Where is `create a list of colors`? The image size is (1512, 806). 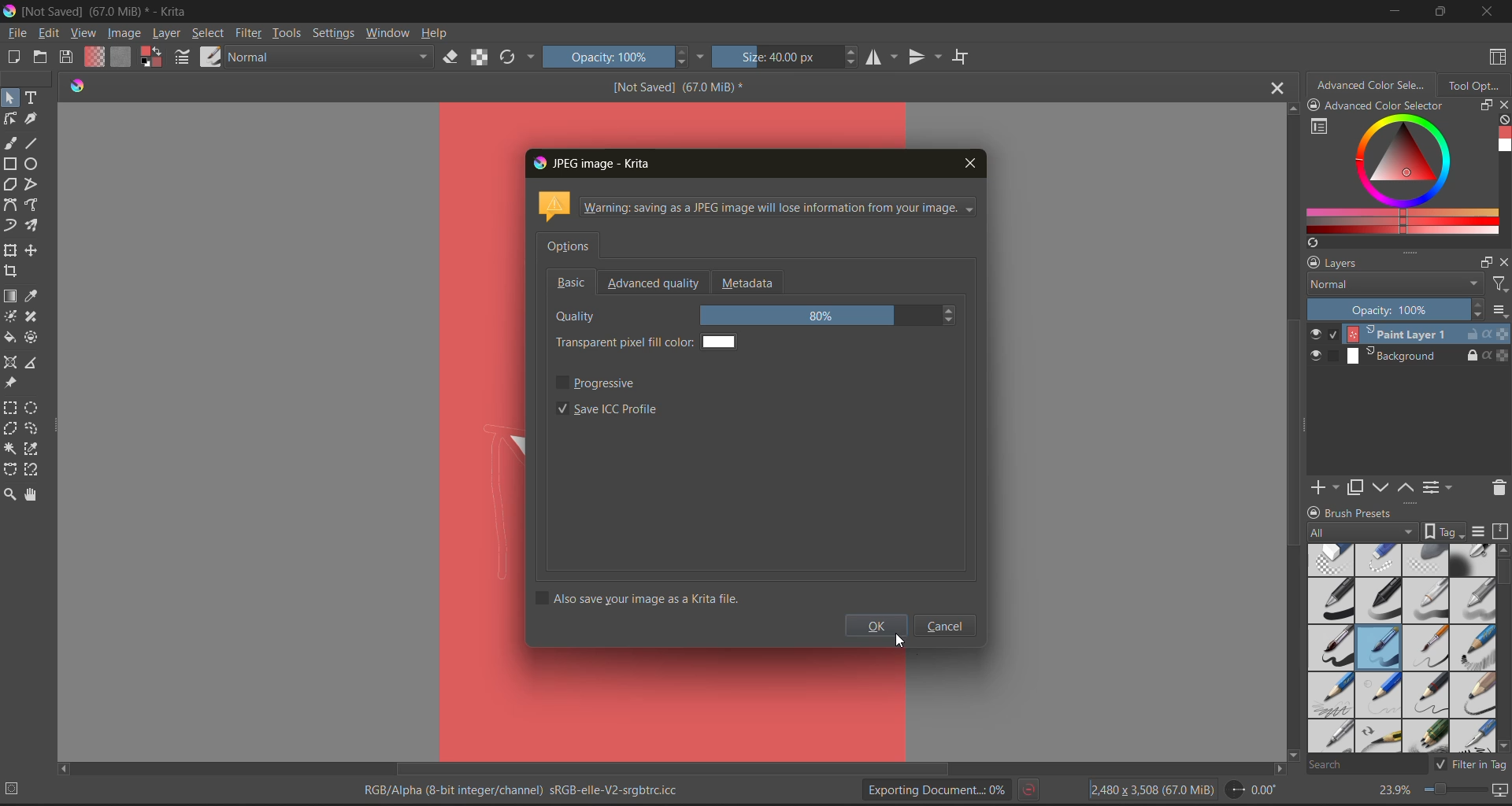 create a list of colors is located at coordinates (1313, 244).